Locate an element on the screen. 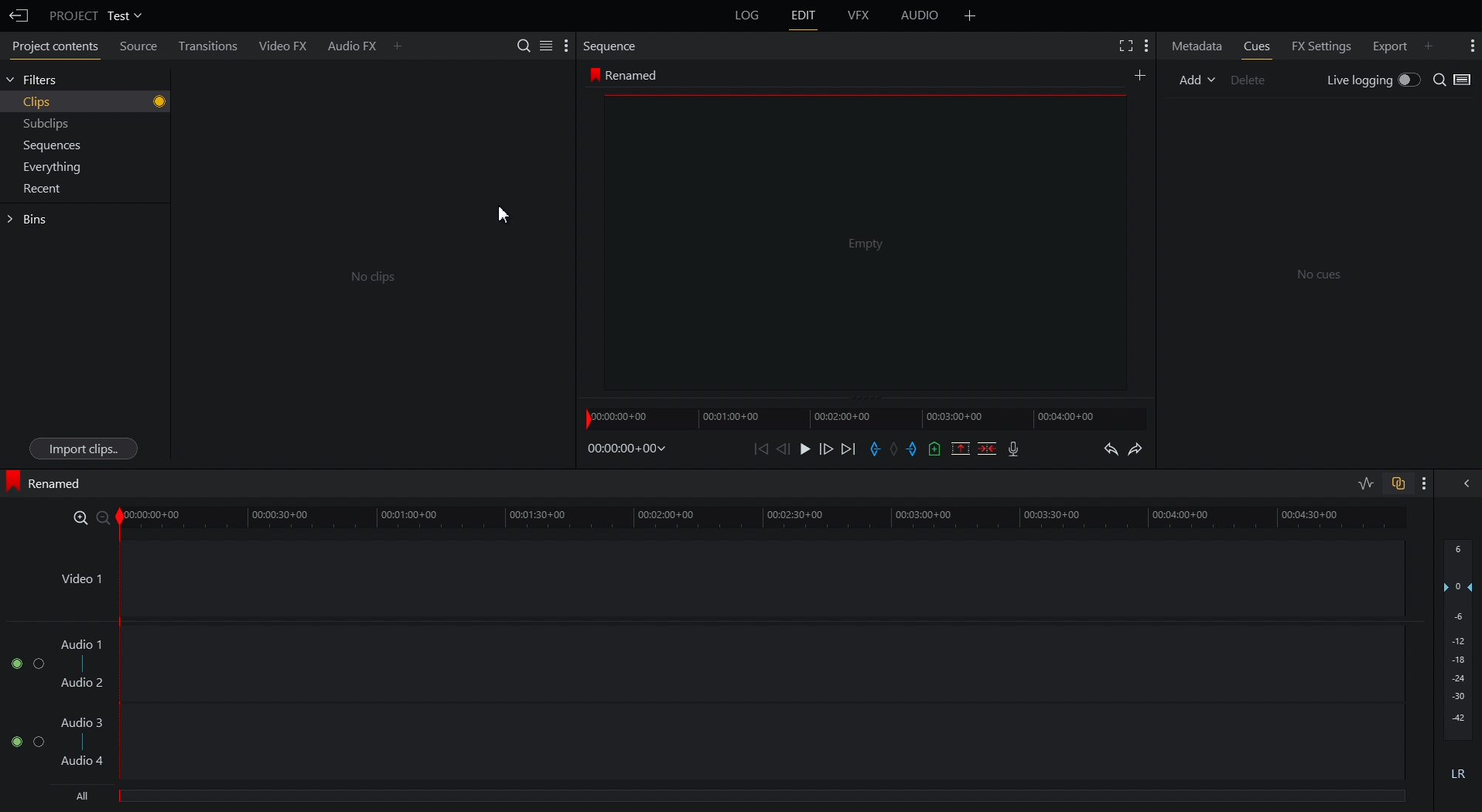 Image resolution: width=1482 pixels, height=812 pixels. Co Clips is located at coordinates (369, 277).